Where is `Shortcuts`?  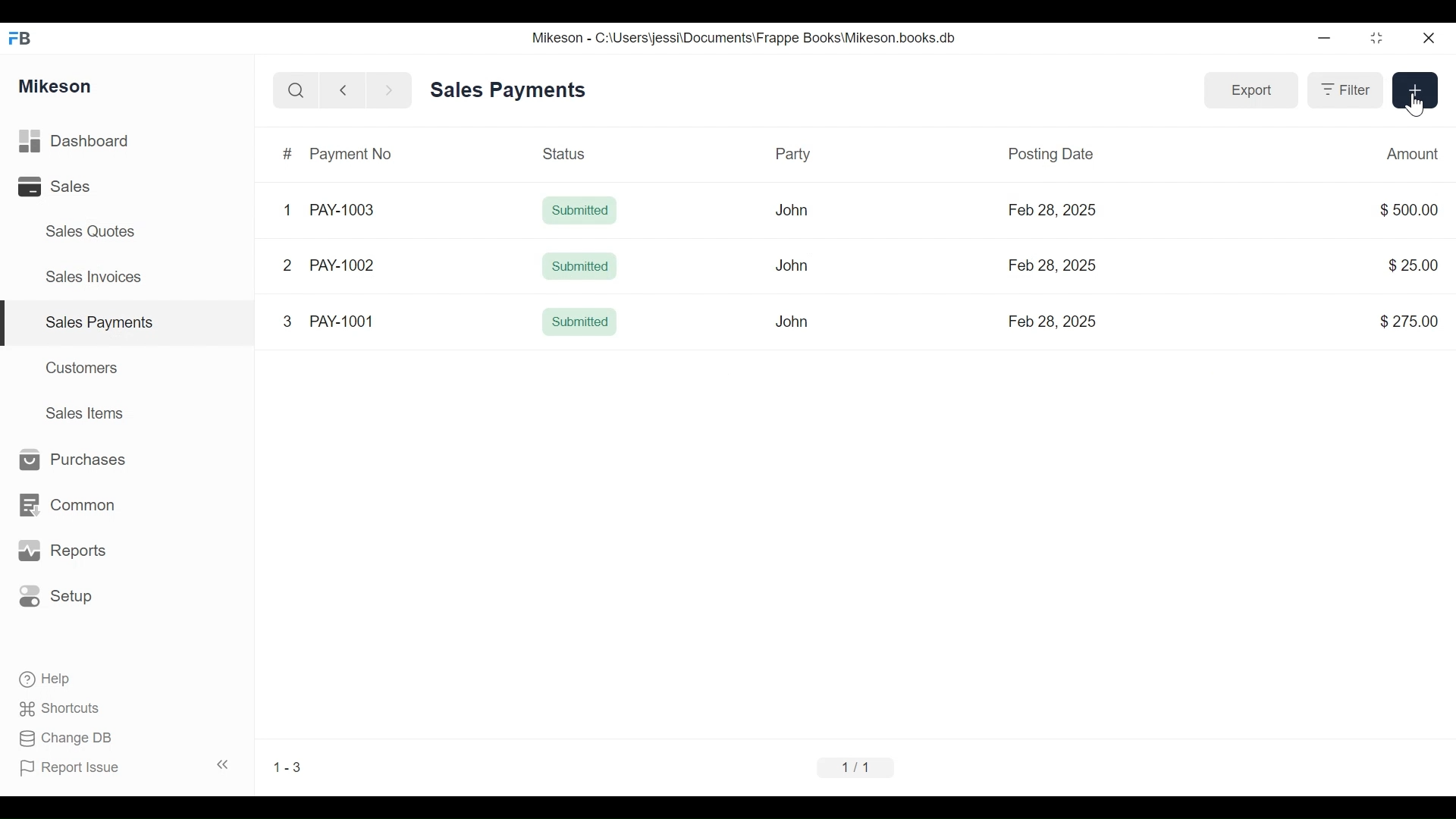
Shortcuts is located at coordinates (66, 704).